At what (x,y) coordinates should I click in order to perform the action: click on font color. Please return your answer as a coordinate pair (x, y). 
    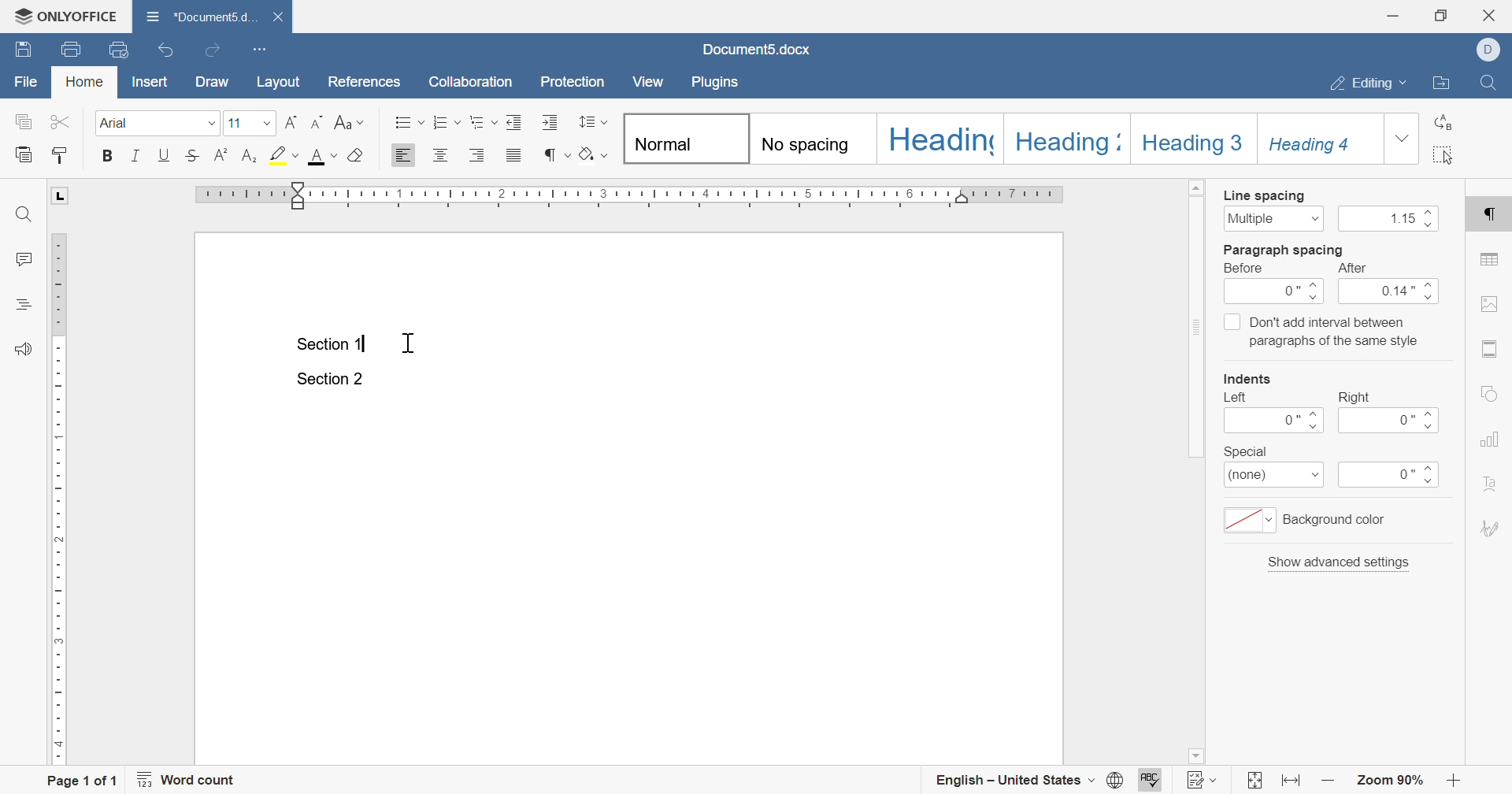
    Looking at the image, I should click on (322, 155).